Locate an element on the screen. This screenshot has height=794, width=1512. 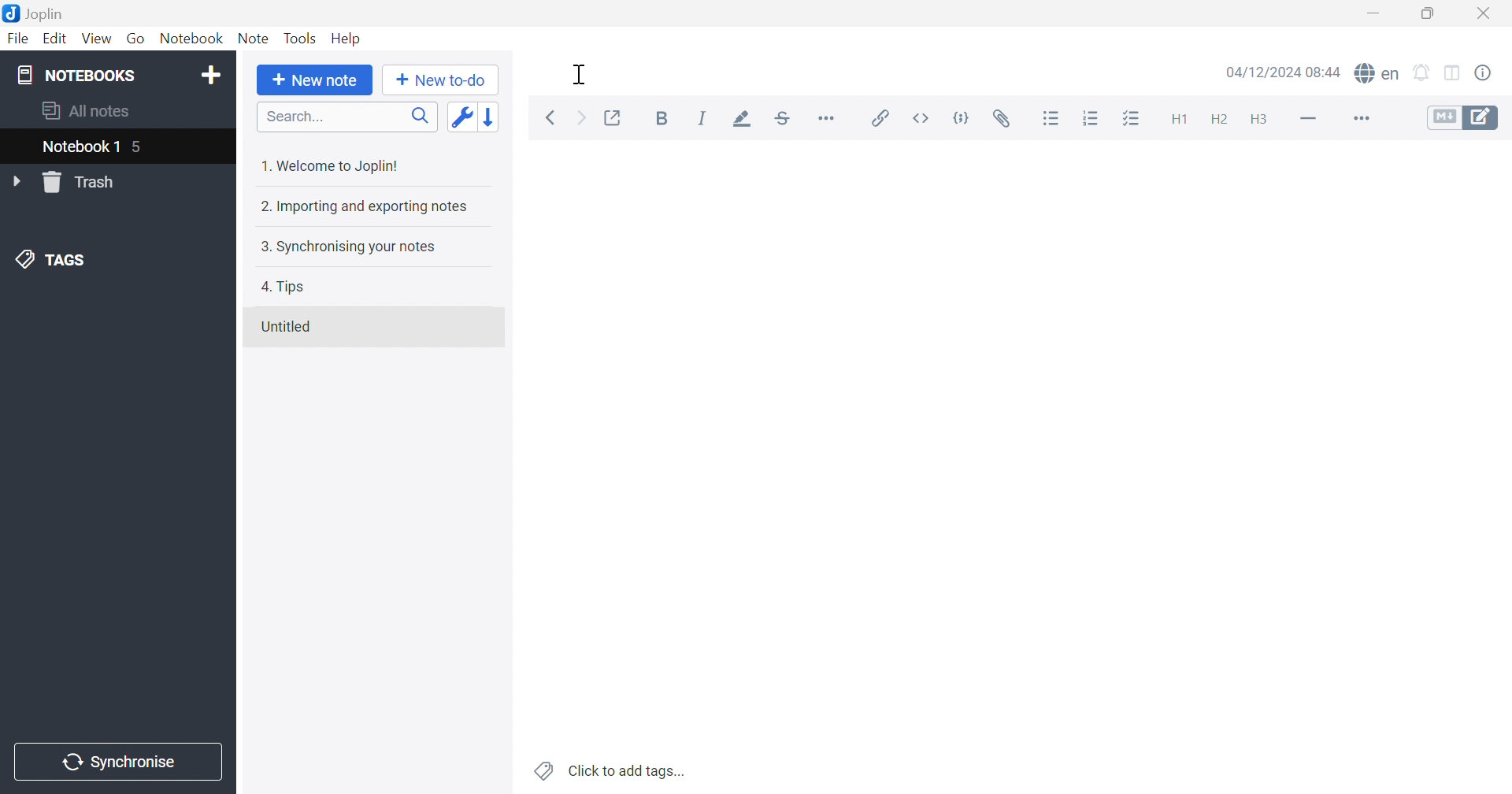
Strikethrough is located at coordinates (782, 118).